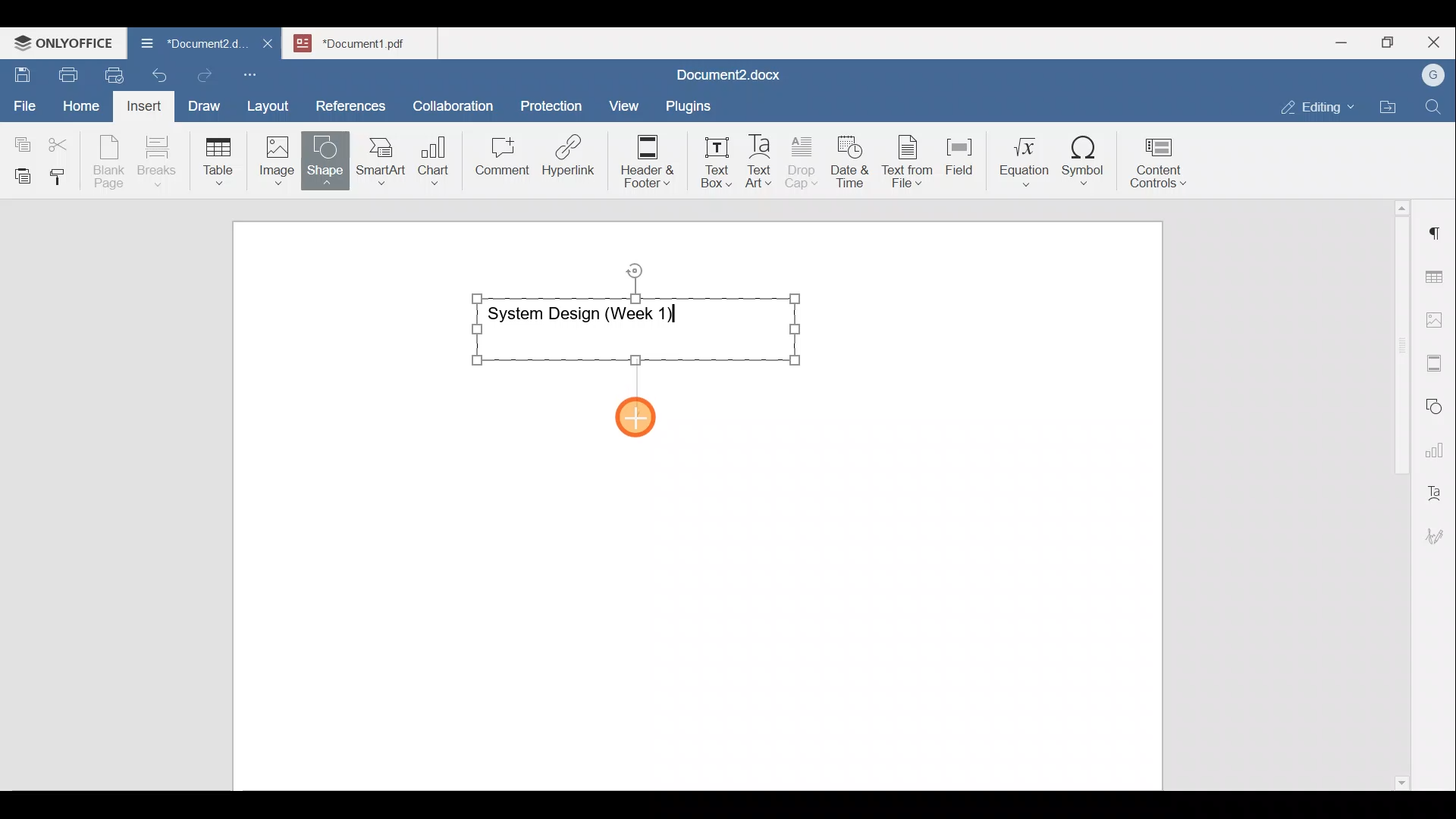 The image size is (1456, 819). I want to click on Chart, so click(431, 162).